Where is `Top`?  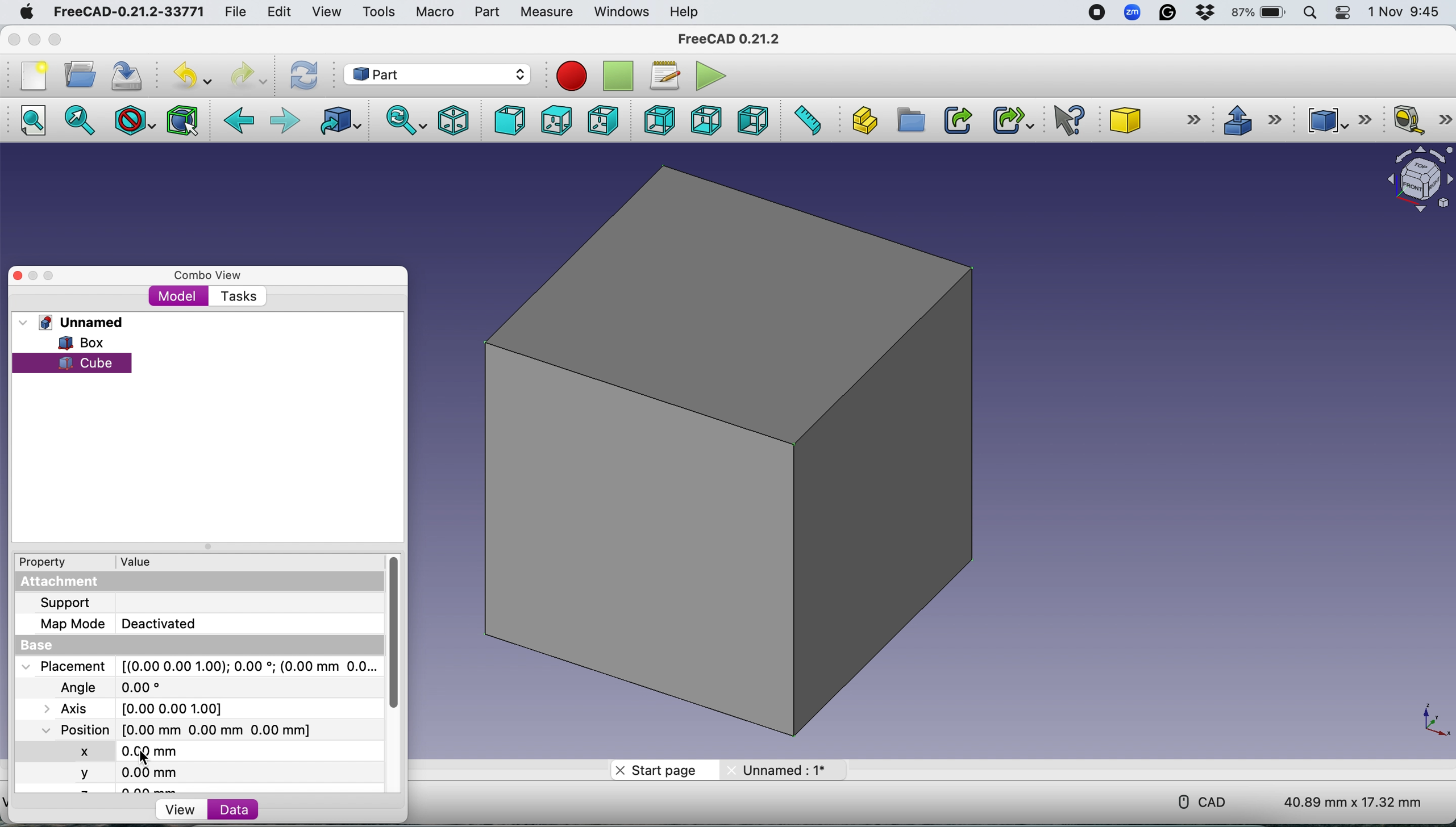
Top is located at coordinates (555, 121).